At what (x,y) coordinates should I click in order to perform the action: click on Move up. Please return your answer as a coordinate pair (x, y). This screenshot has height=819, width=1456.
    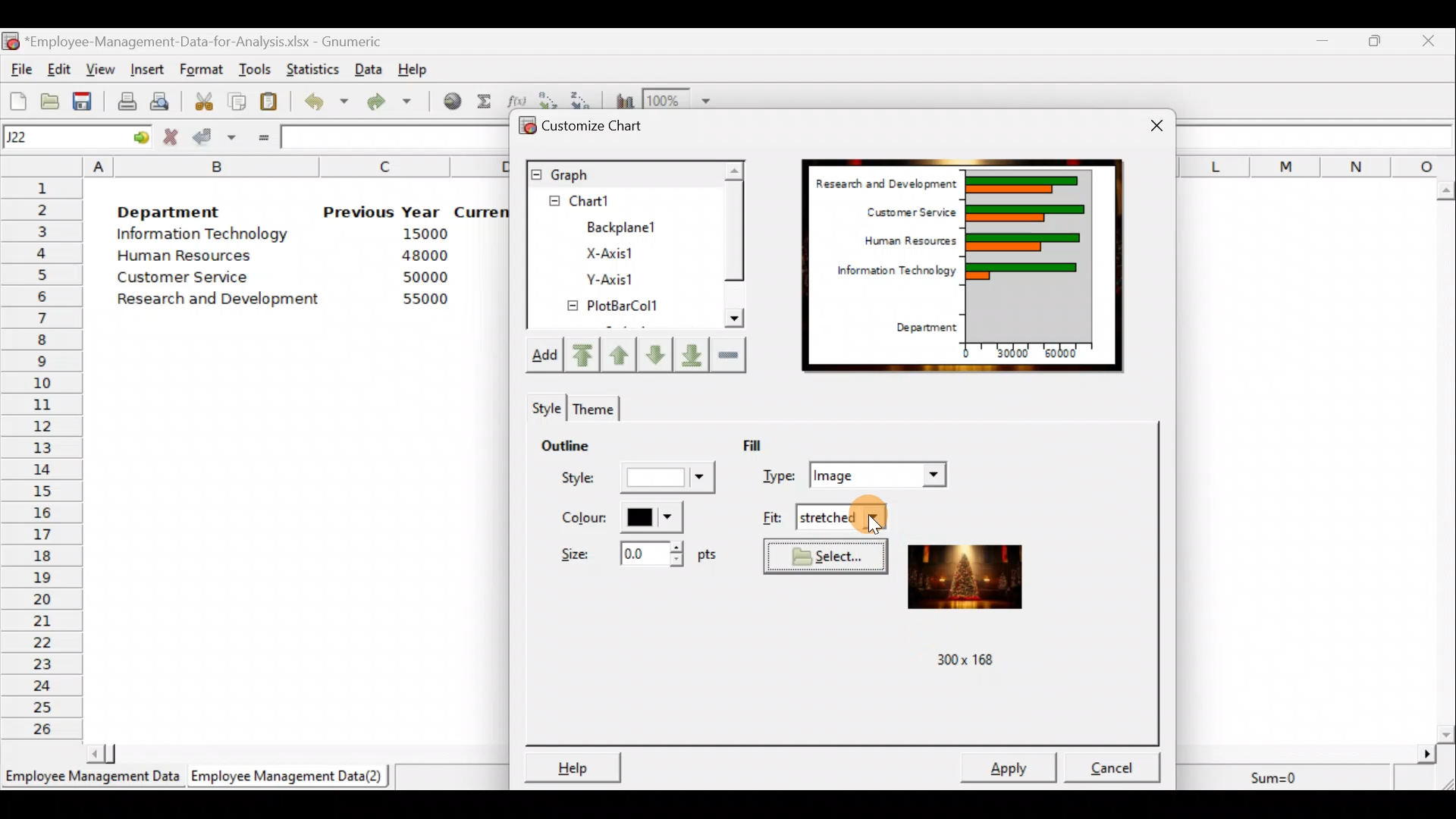
    Looking at the image, I should click on (652, 353).